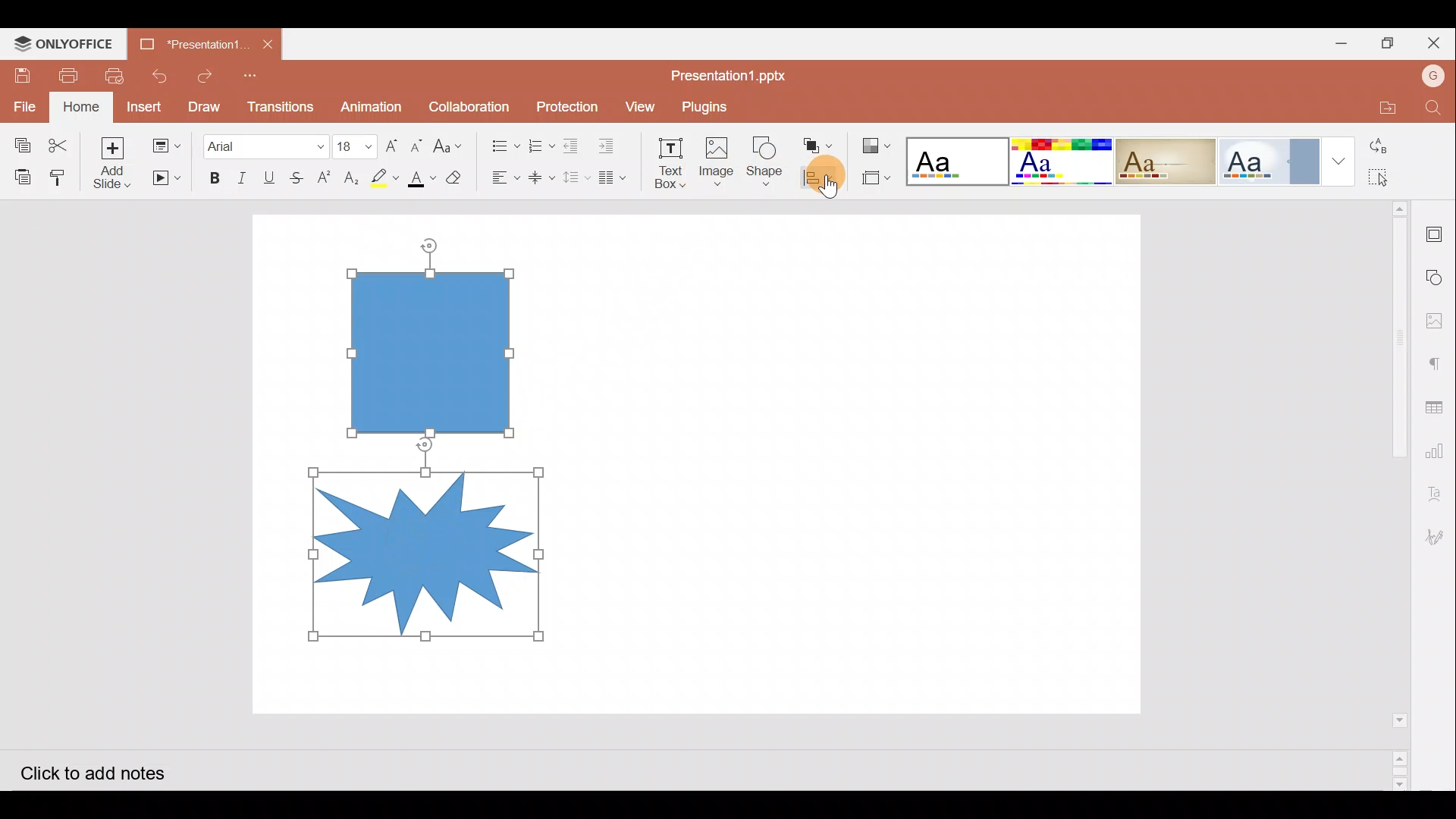 The image size is (1456, 819). What do you see at coordinates (734, 72) in the screenshot?
I see `Presentation1.pptx` at bounding box center [734, 72].